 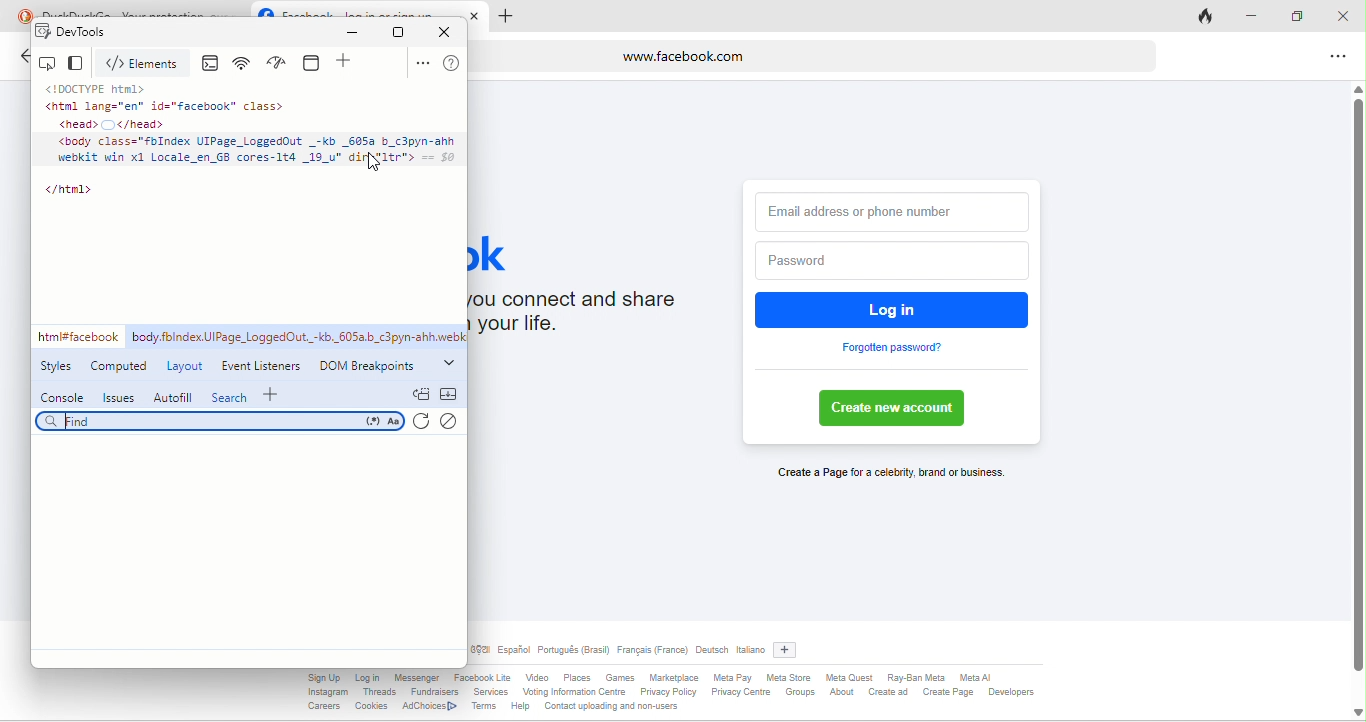 What do you see at coordinates (347, 63) in the screenshot?
I see `add` at bounding box center [347, 63].